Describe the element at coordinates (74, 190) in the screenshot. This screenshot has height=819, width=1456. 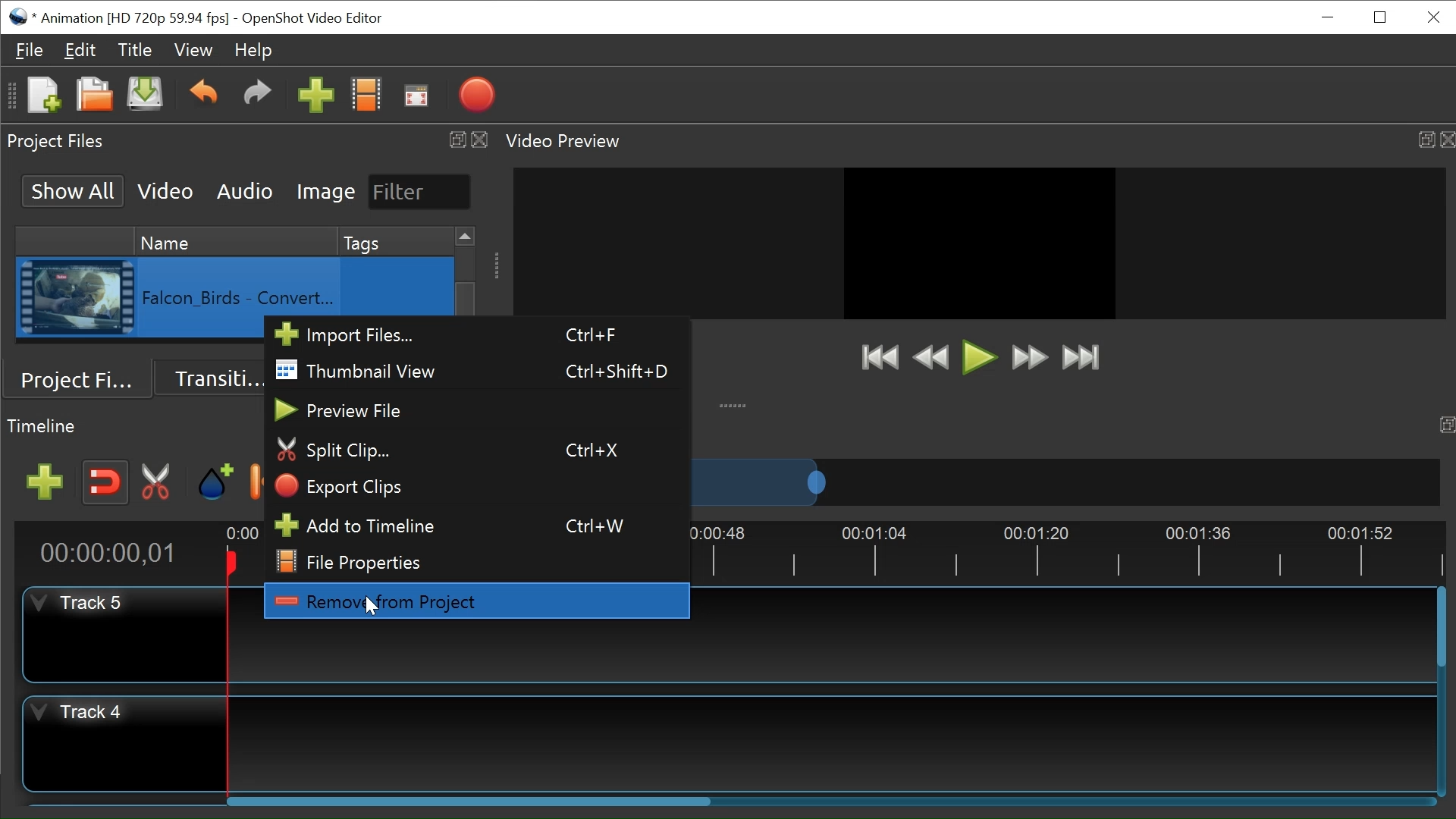
I see `Show All` at that location.